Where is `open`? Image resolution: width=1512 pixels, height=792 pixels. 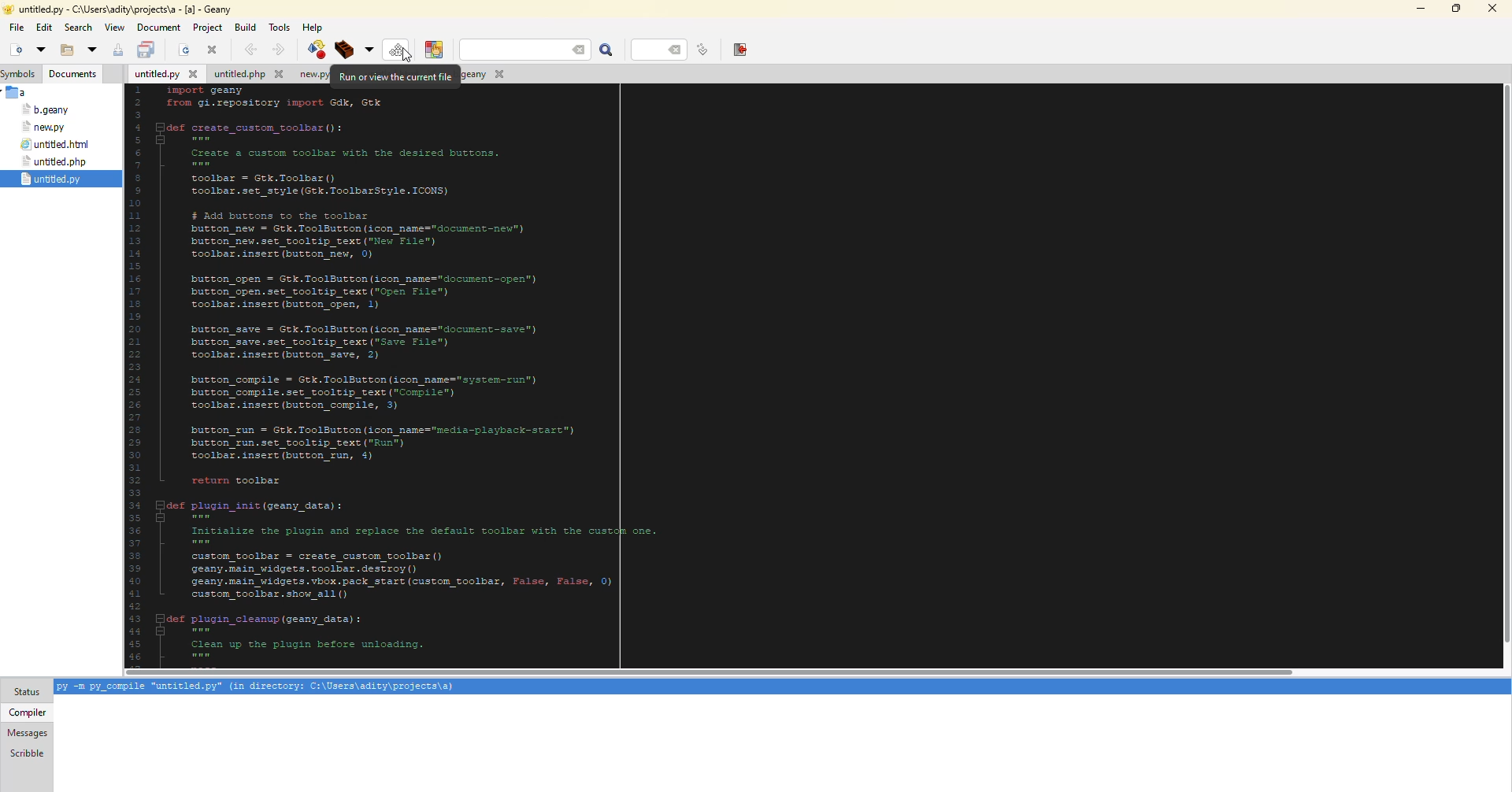 open is located at coordinates (182, 50).